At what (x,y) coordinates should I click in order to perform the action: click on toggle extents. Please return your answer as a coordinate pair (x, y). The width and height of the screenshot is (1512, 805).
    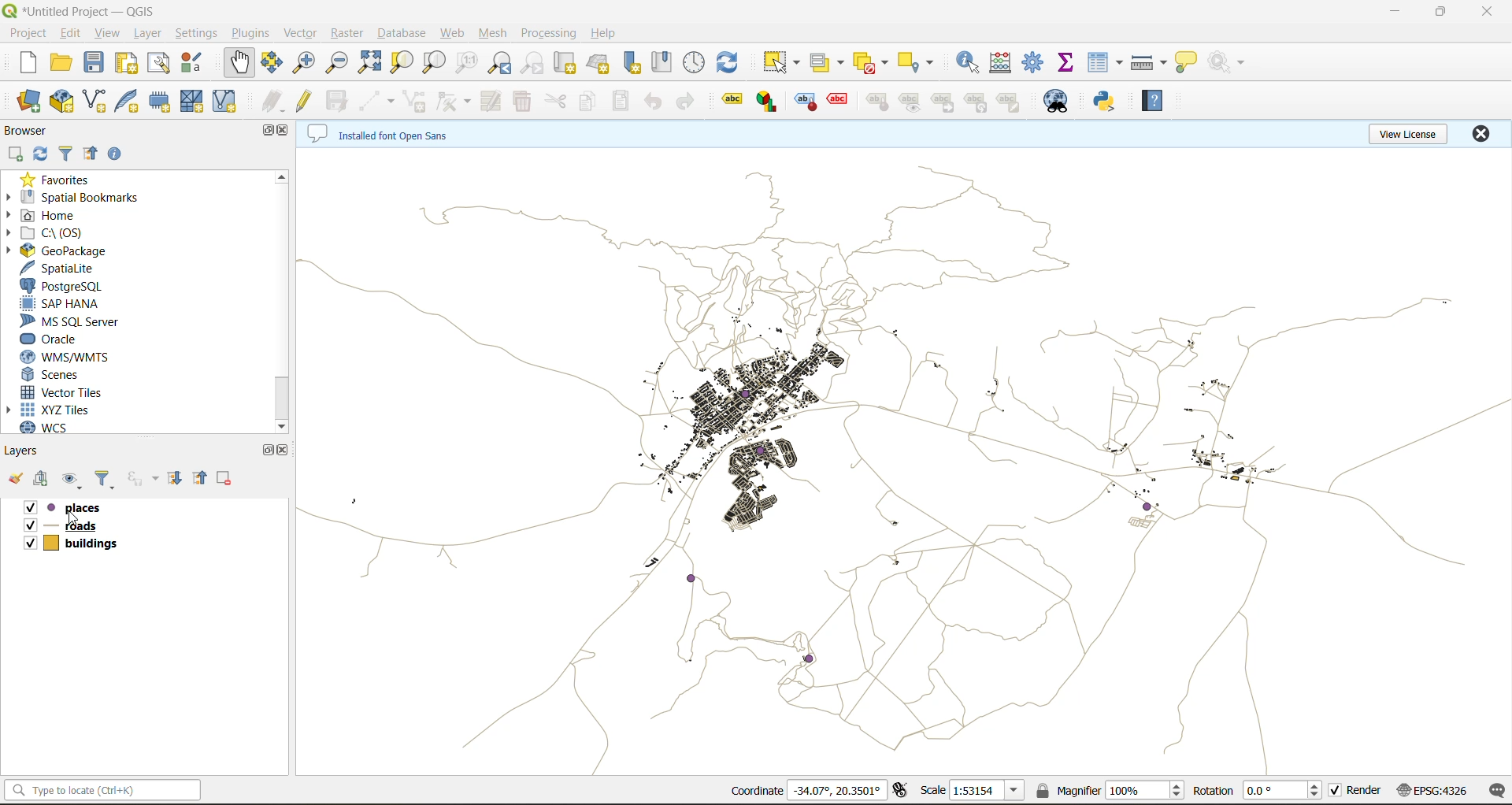
    Looking at the image, I should click on (899, 792).